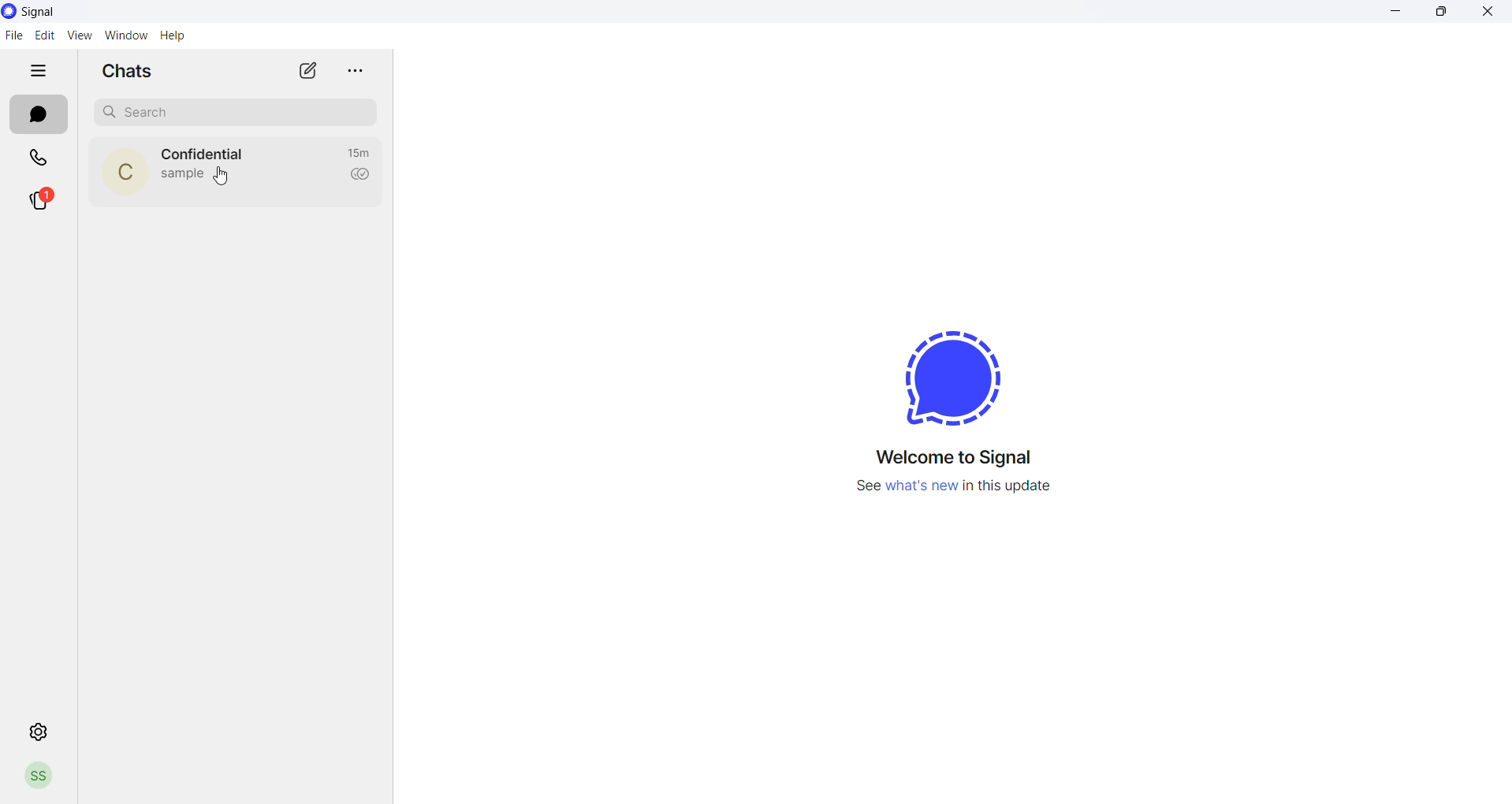 This screenshot has width=1512, height=804. What do you see at coordinates (35, 731) in the screenshot?
I see `settings ` at bounding box center [35, 731].